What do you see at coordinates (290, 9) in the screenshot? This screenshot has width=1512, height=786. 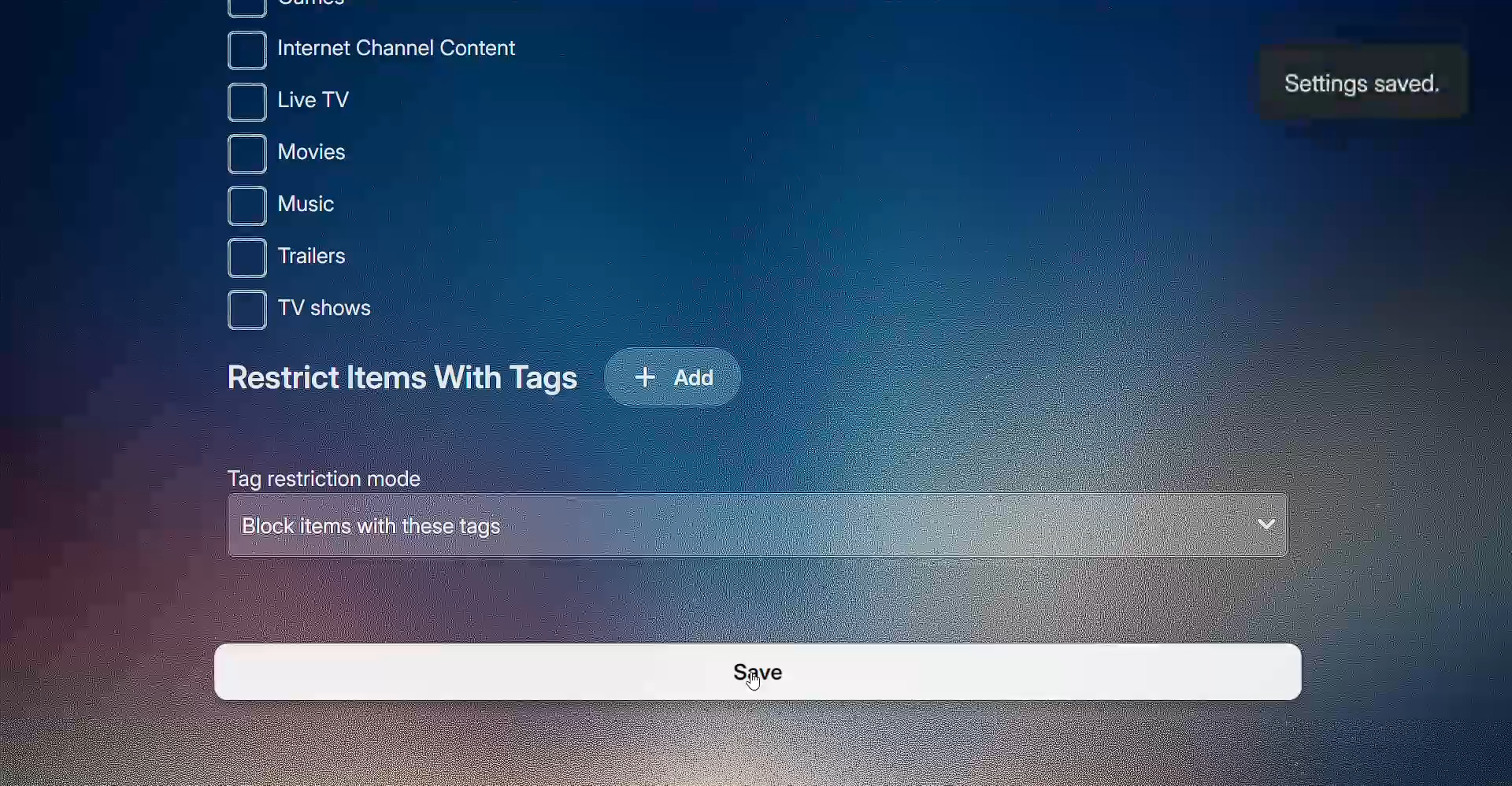 I see `Games` at bounding box center [290, 9].